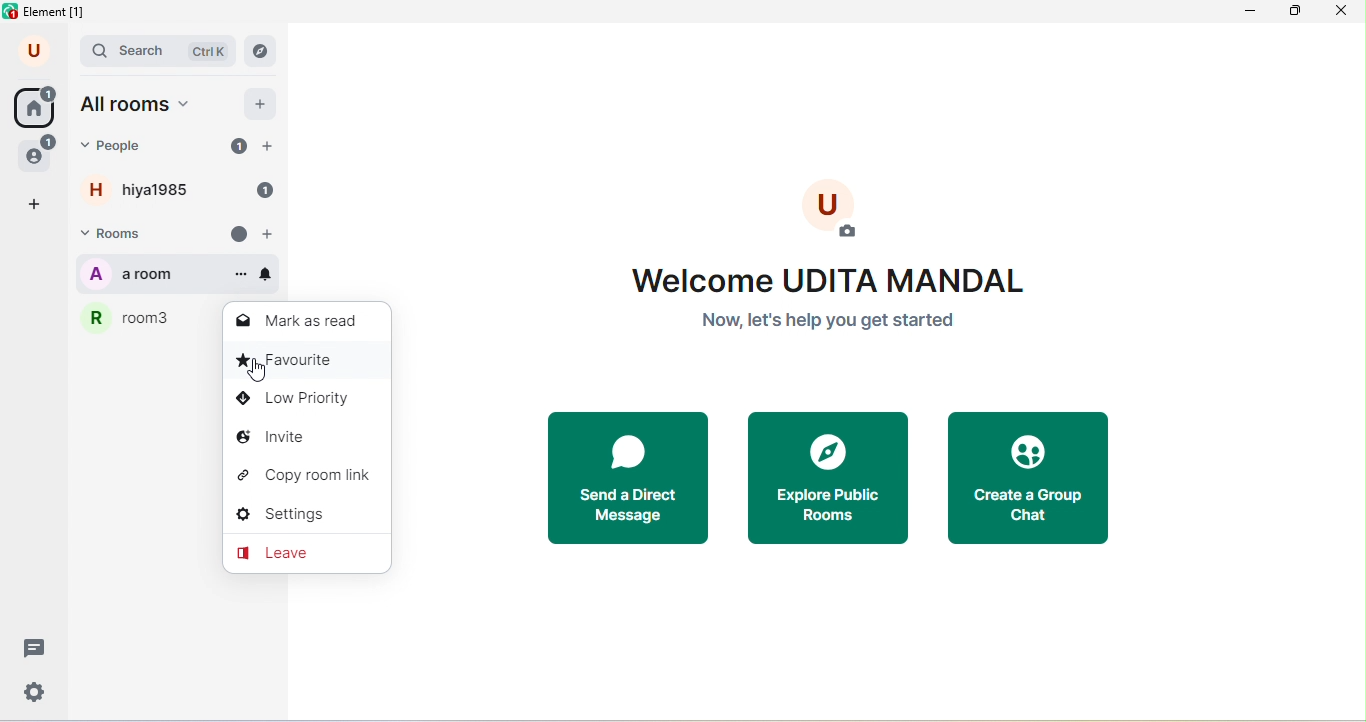 The image size is (1366, 722). What do you see at coordinates (266, 274) in the screenshot?
I see `notifications` at bounding box center [266, 274].